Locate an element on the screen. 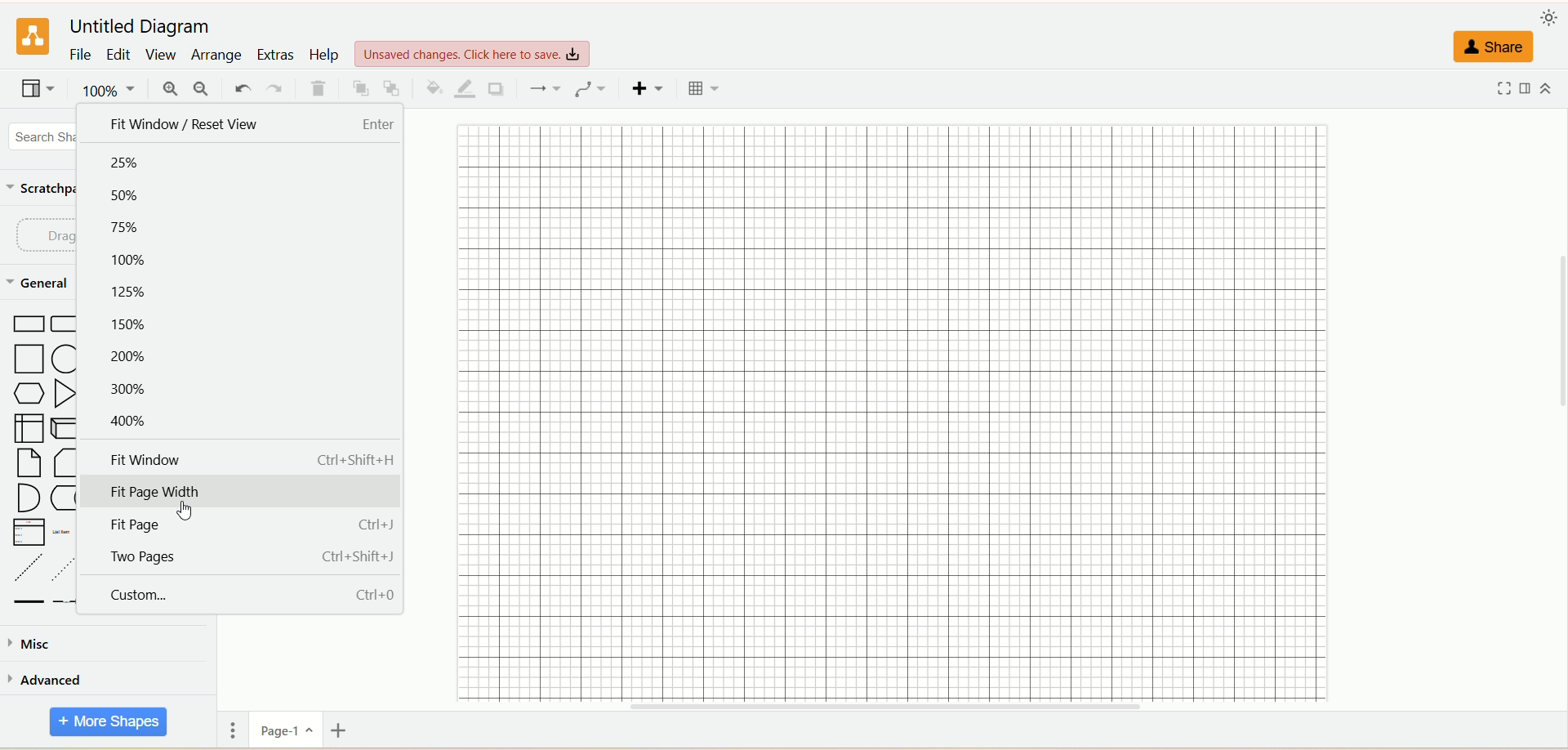 Image resolution: width=1568 pixels, height=750 pixels. 200% is located at coordinates (134, 356).